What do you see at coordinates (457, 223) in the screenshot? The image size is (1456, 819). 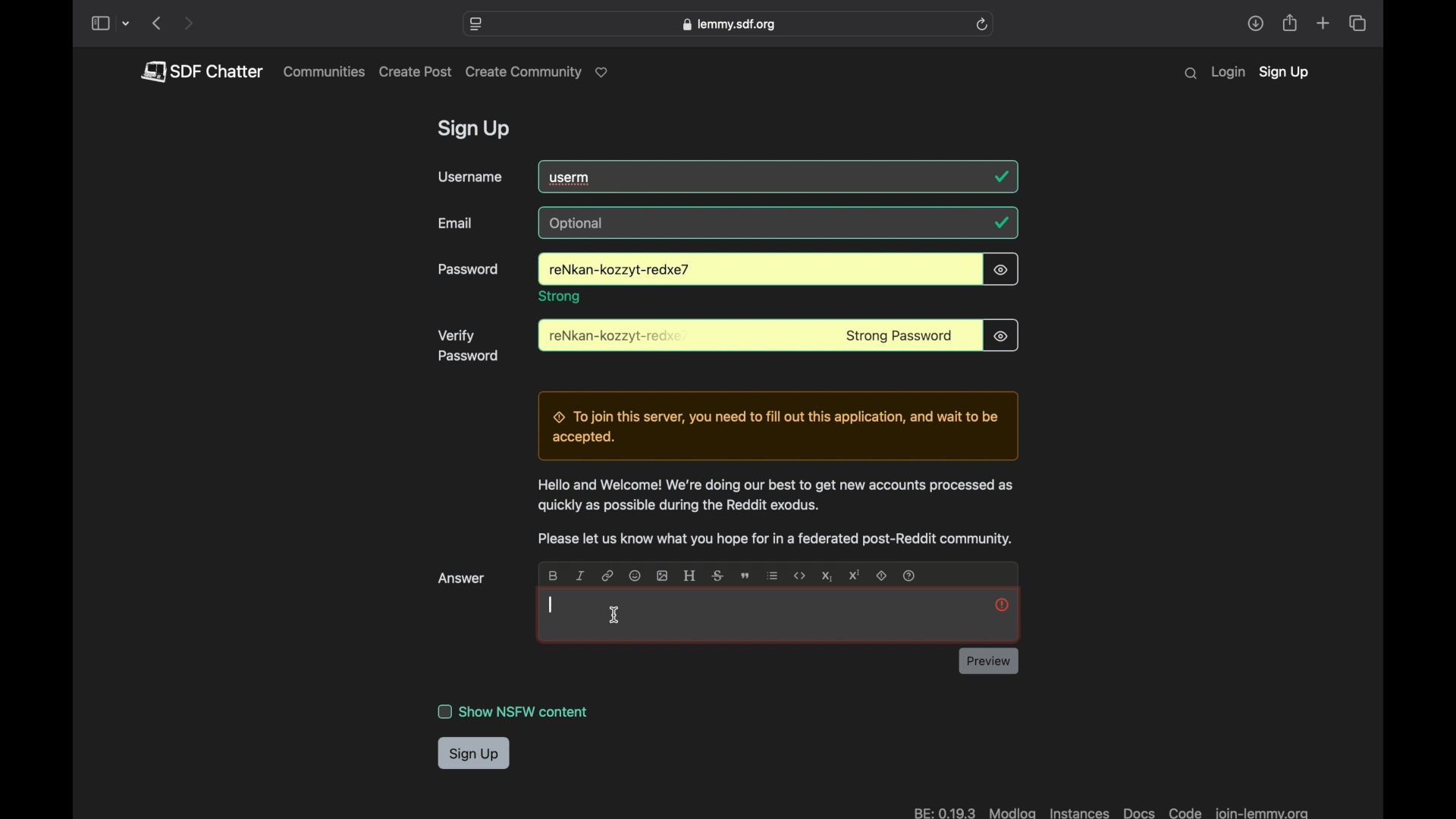 I see `email` at bounding box center [457, 223].